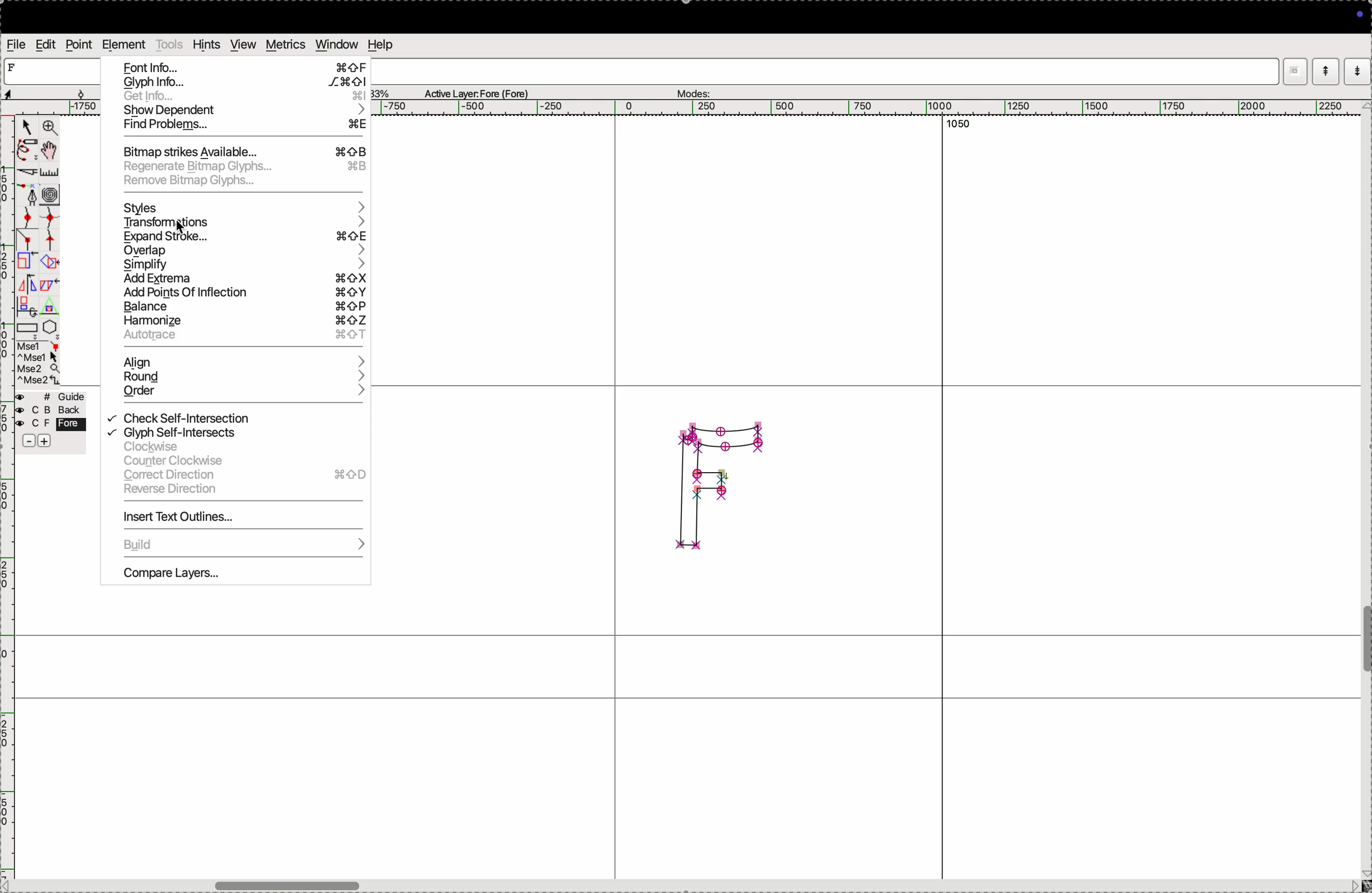  Describe the element at coordinates (243, 150) in the screenshot. I see `bitmap strikes available` at that location.